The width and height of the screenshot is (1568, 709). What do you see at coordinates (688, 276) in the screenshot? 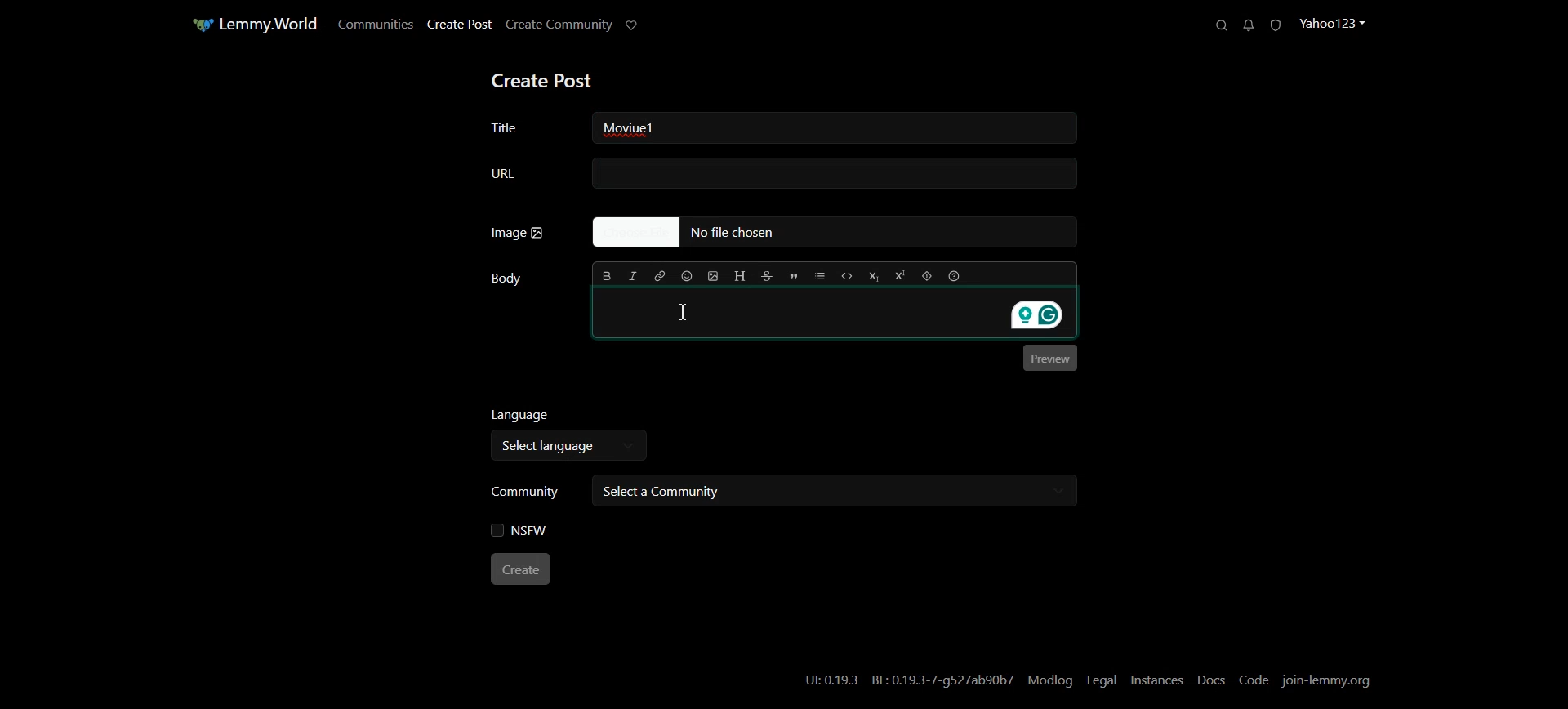
I see `Insert Emoji` at bounding box center [688, 276].